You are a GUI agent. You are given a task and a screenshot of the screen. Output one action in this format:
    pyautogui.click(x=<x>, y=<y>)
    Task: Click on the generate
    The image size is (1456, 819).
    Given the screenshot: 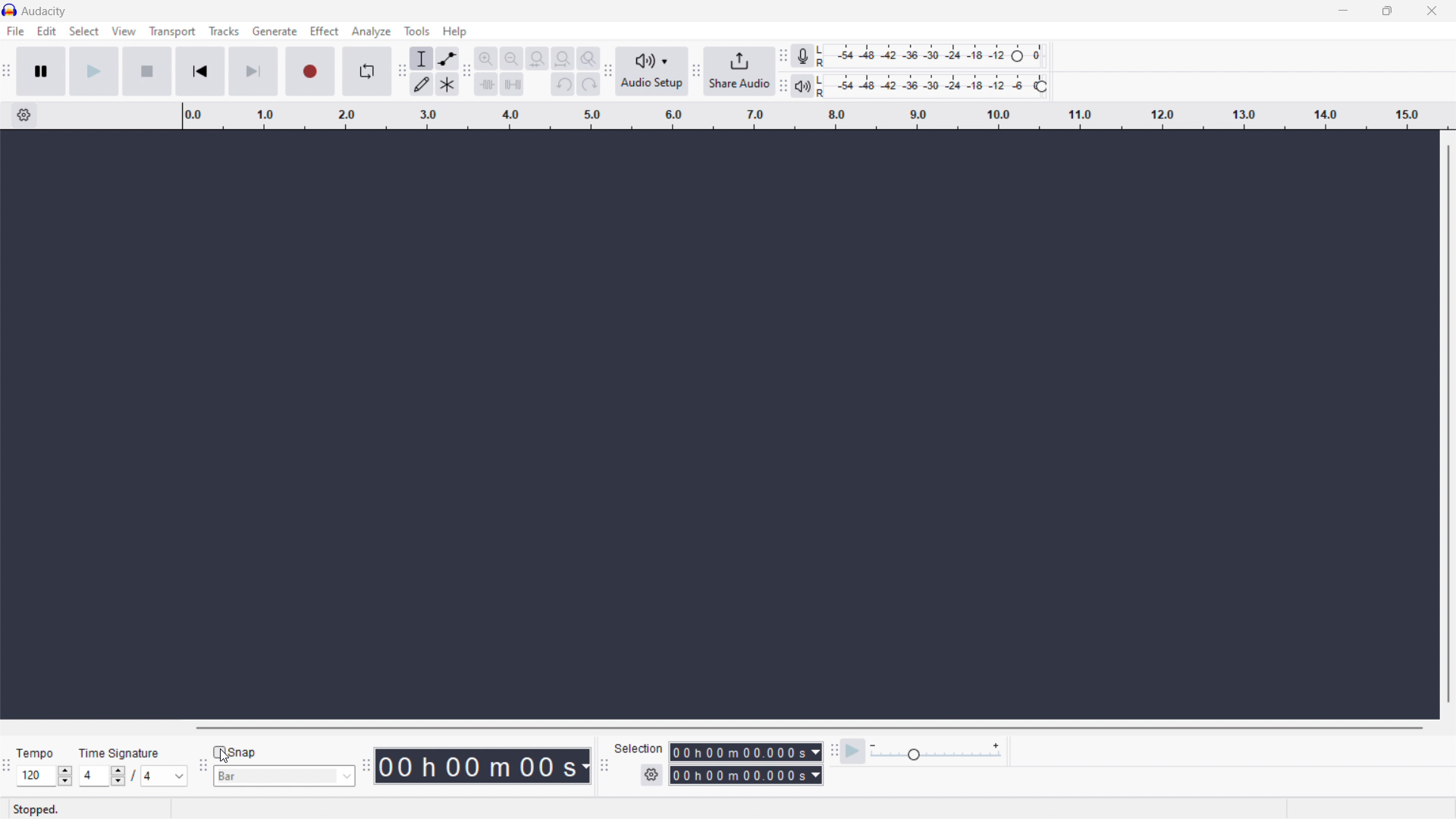 What is the action you would take?
    pyautogui.click(x=275, y=32)
    